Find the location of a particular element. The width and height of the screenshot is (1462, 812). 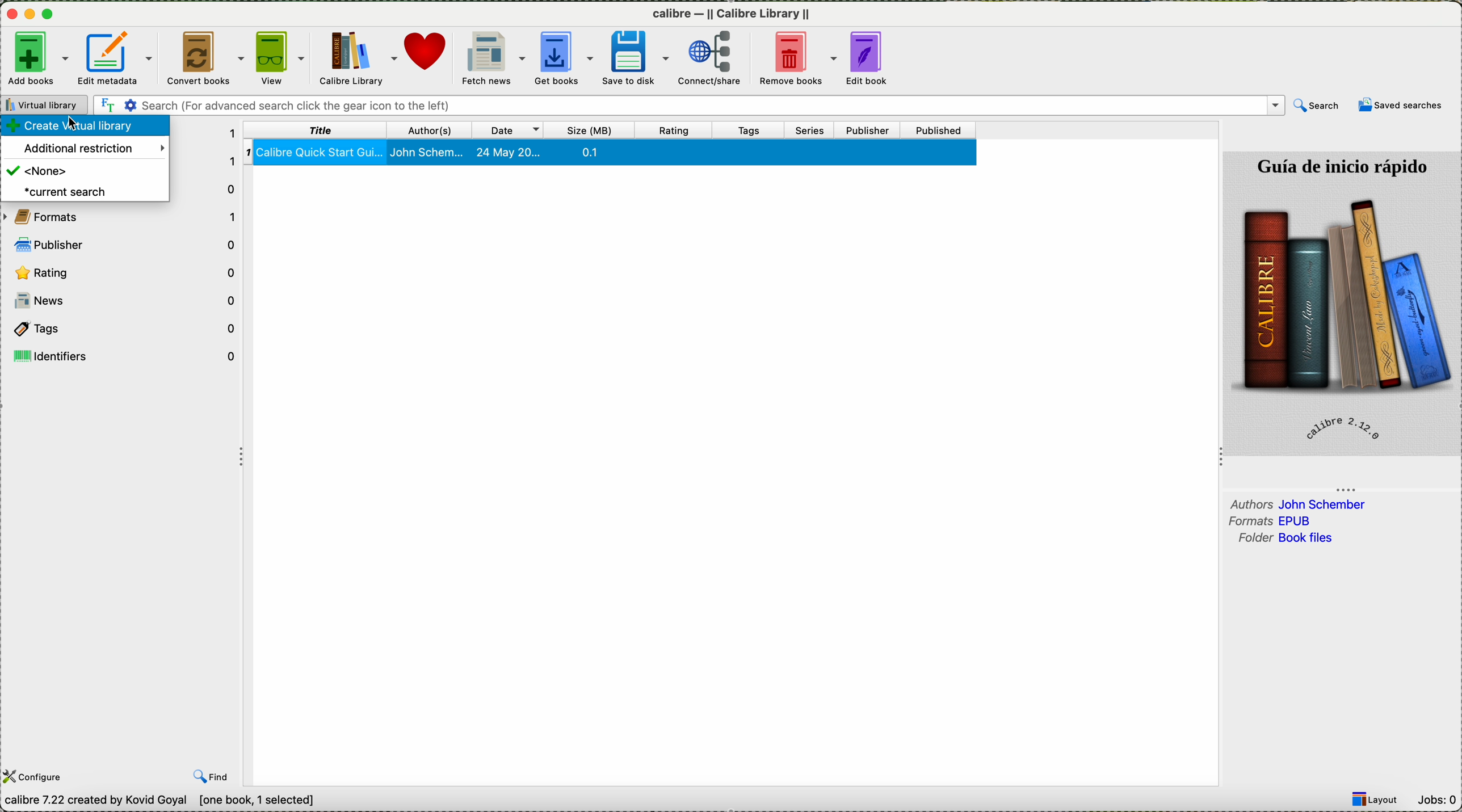

authors is located at coordinates (435, 129).